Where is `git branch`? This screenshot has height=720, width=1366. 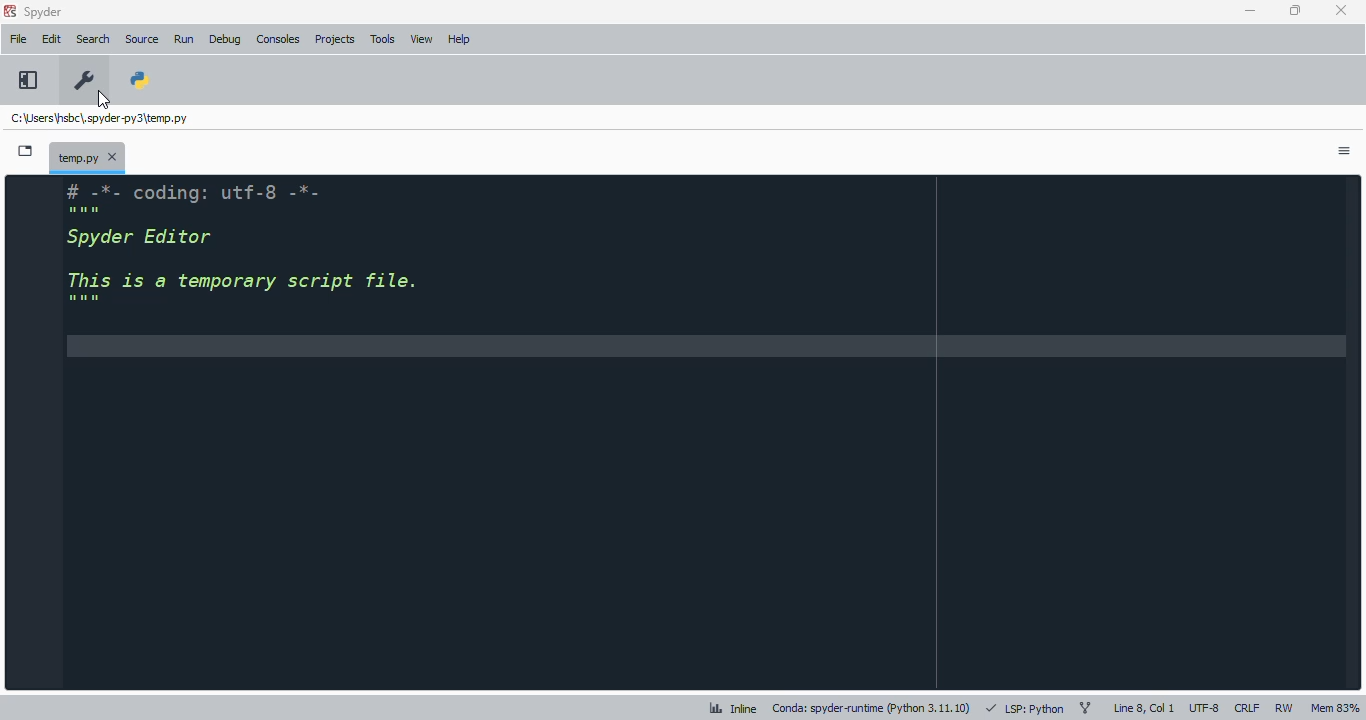
git branch is located at coordinates (1086, 708).